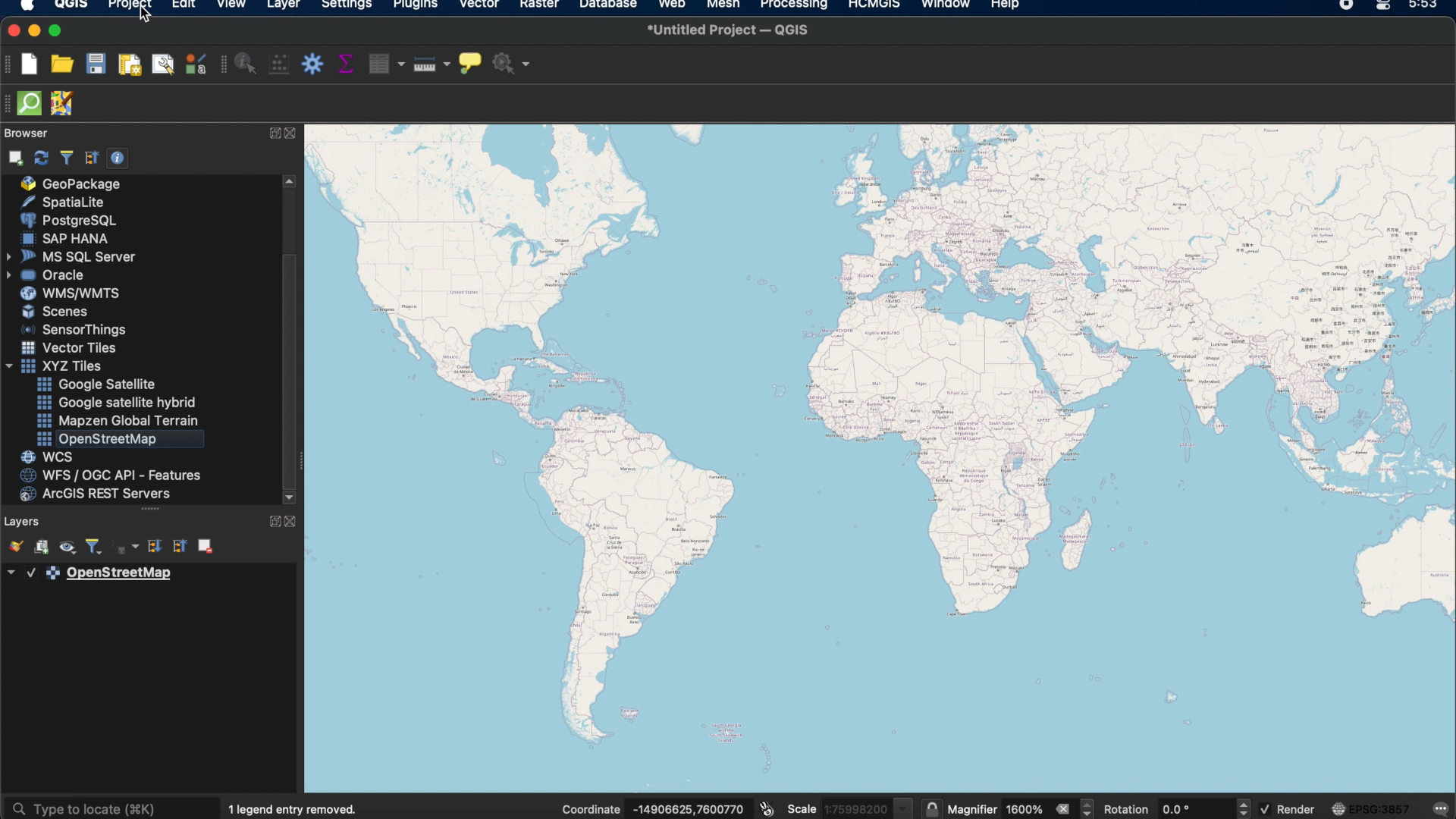 This screenshot has height=819, width=1456. I want to click on collapse all, so click(180, 545).